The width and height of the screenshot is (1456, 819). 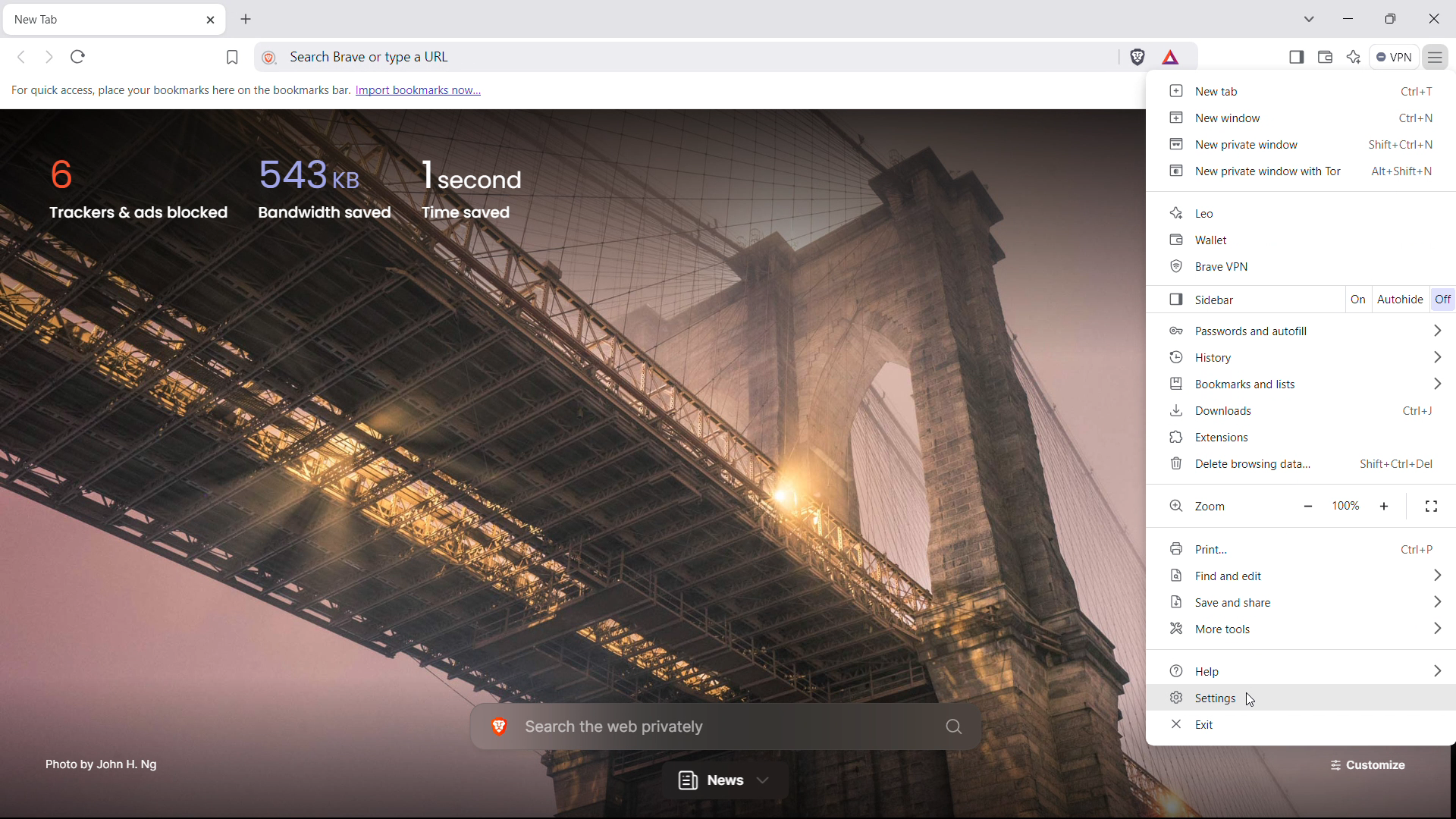 What do you see at coordinates (845, 180) in the screenshot?
I see `background` at bounding box center [845, 180].